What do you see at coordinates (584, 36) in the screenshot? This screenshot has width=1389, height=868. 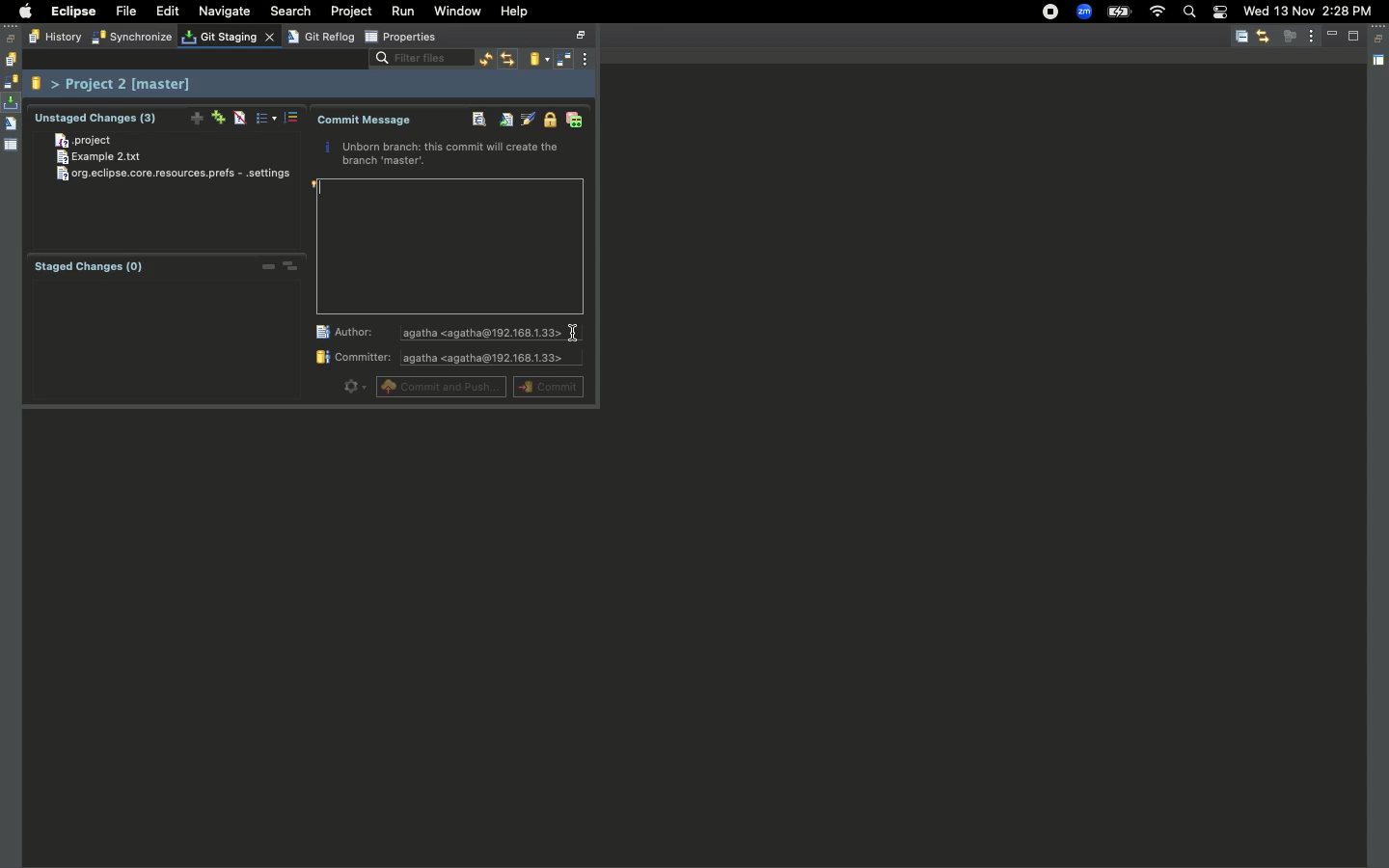 I see `Restore` at bounding box center [584, 36].